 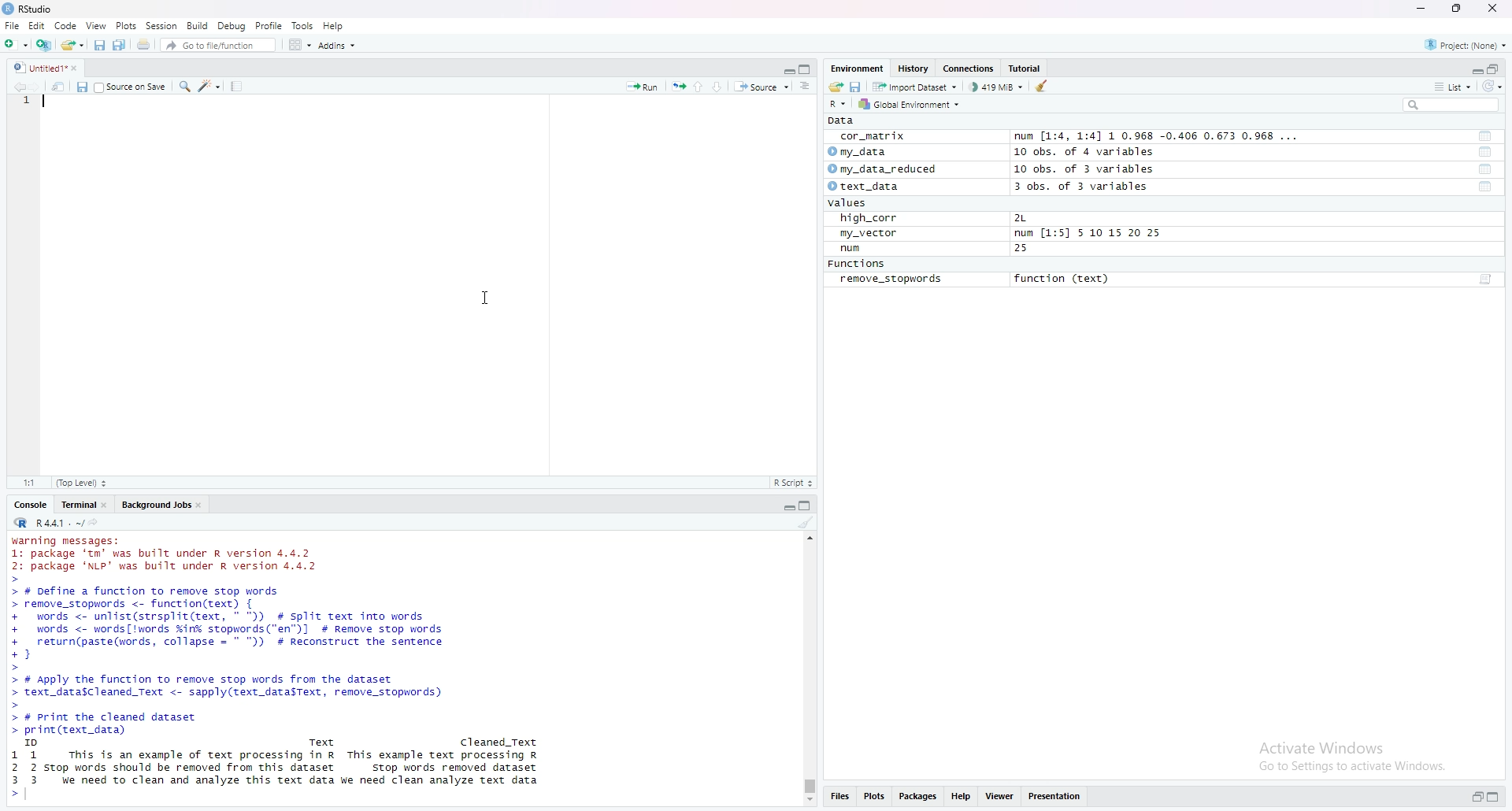 I want to click on Source on Save, so click(x=132, y=87).